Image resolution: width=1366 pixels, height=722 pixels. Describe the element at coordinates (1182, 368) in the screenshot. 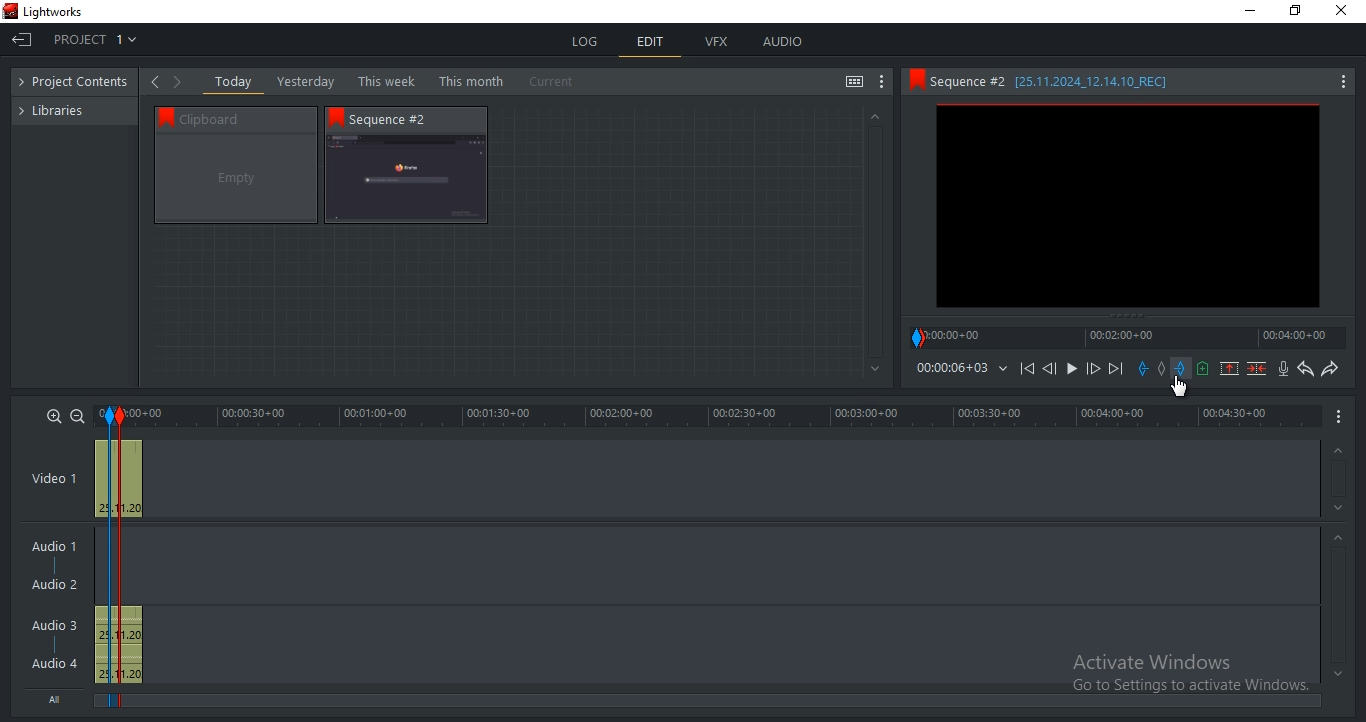

I see `mark out` at that location.